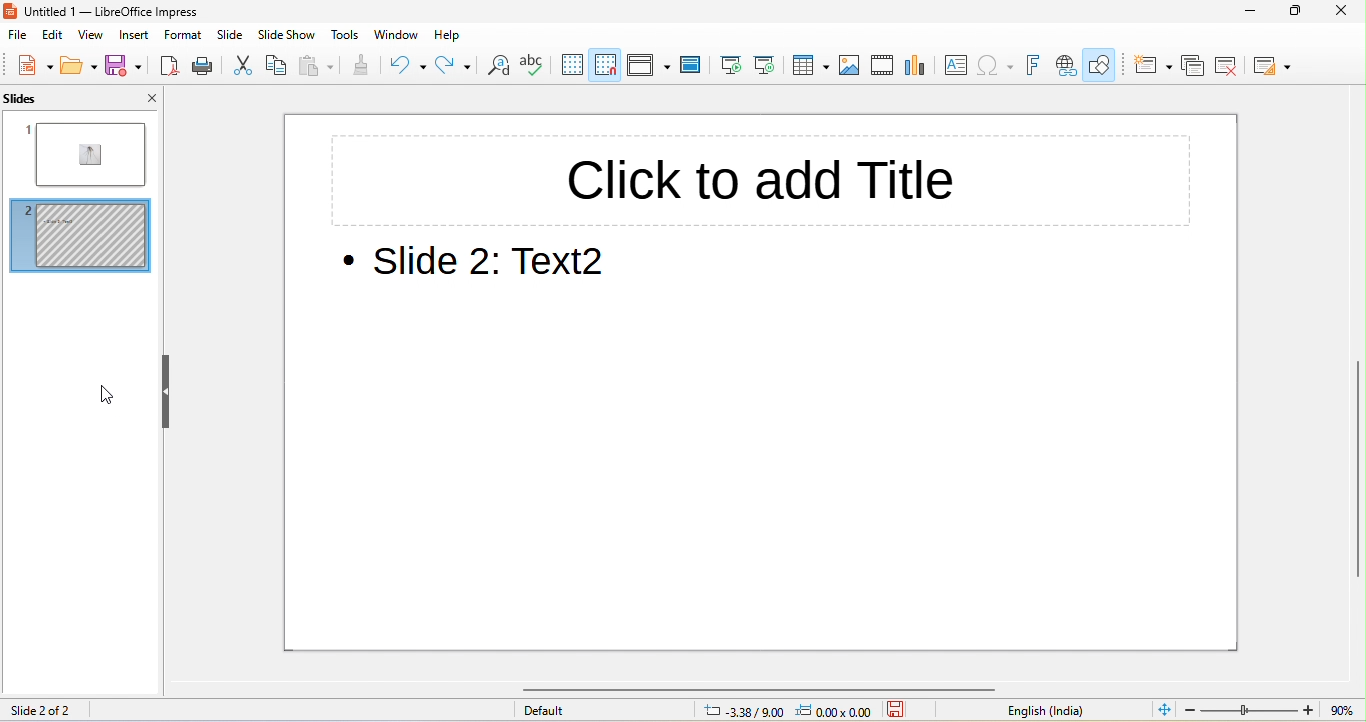 The image size is (1366, 722). I want to click on slide show, so click(288, 37).